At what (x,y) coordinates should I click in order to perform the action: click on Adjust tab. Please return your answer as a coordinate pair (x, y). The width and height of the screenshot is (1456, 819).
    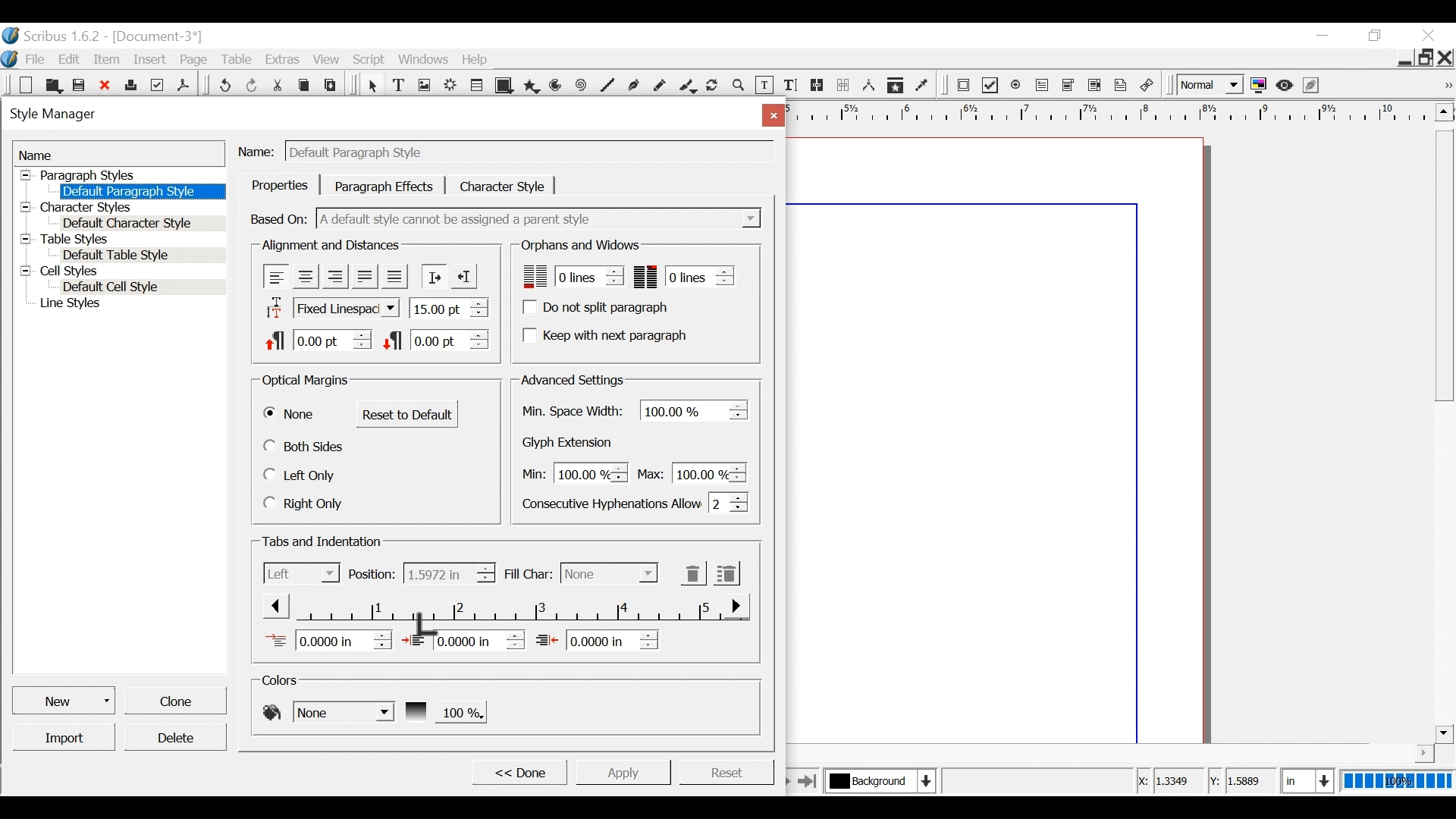
    Looking at the image, I should click on (504, 606).